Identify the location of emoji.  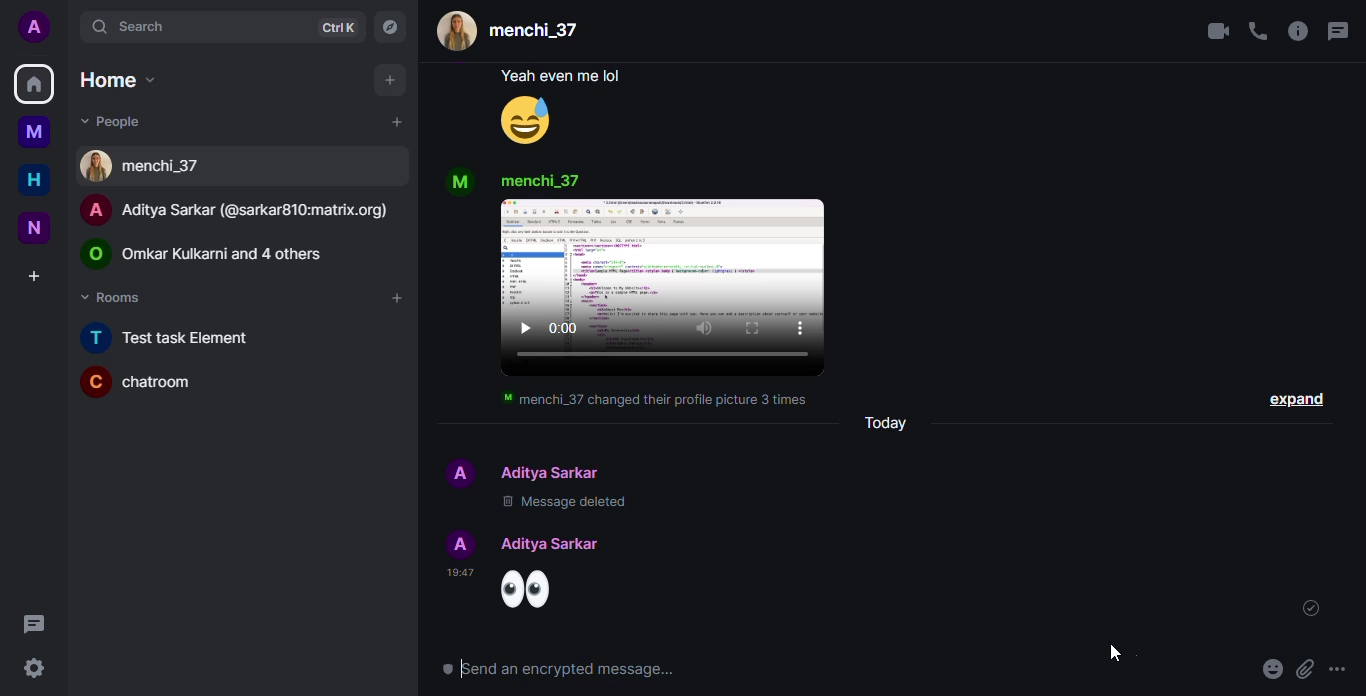
(1342, 669).